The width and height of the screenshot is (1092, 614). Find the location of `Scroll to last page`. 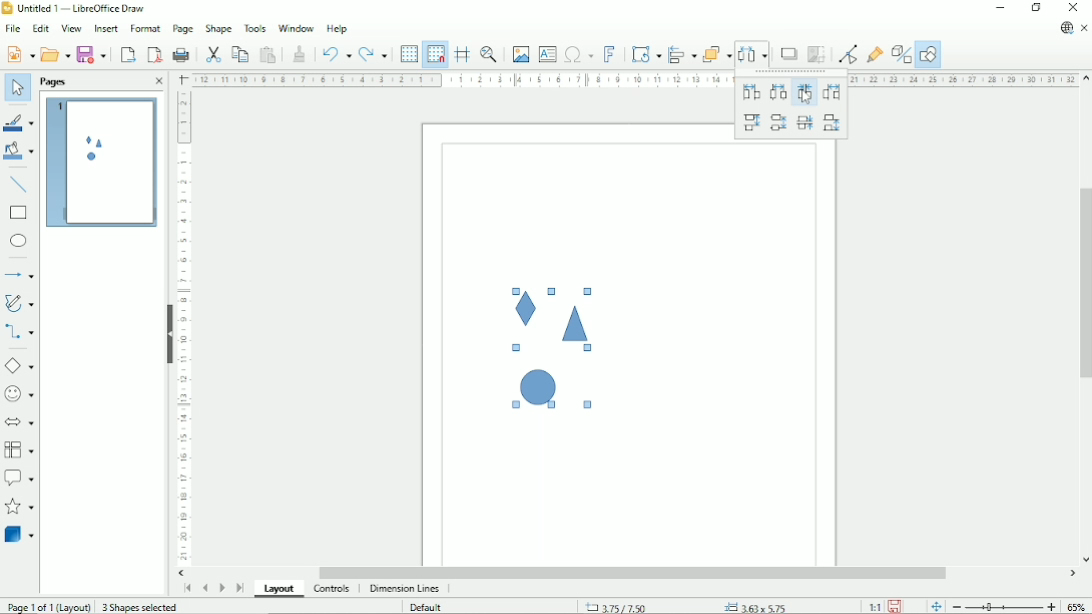

Scroll to last page is located at coordinates (240, 588).